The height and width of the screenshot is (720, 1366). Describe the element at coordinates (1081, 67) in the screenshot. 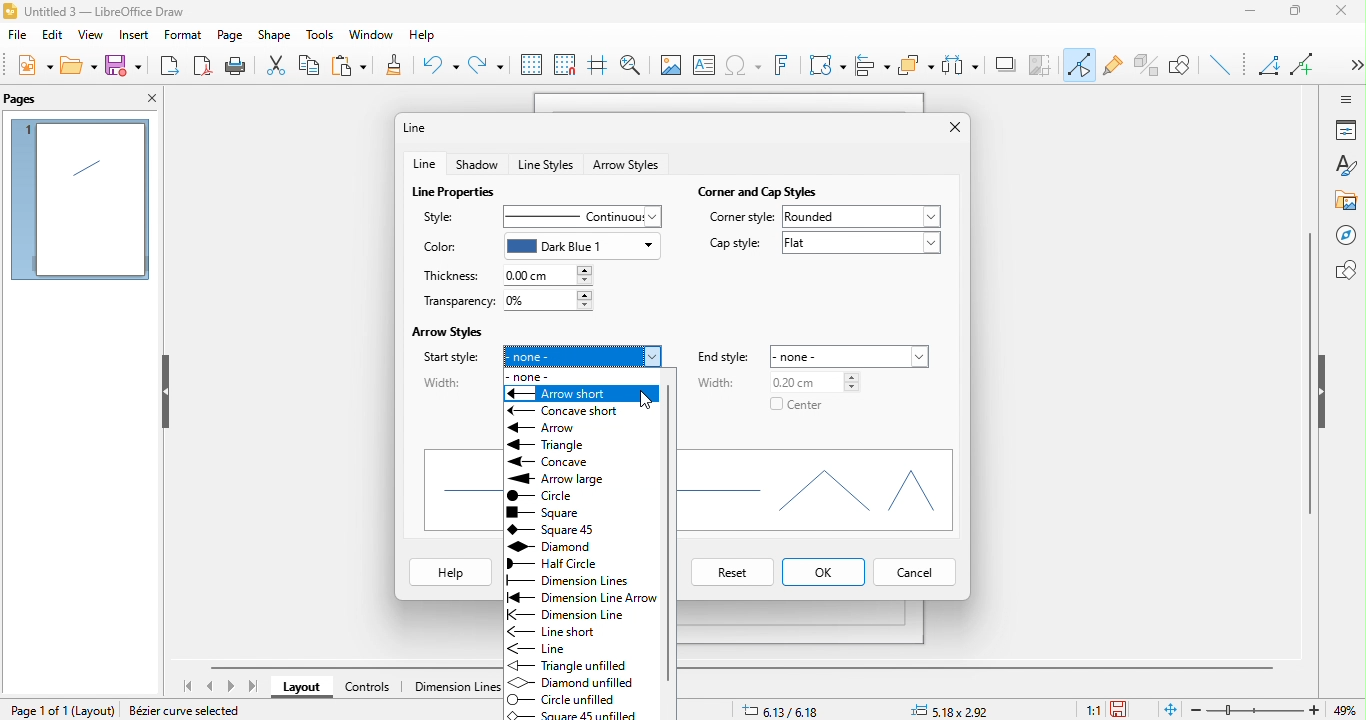

I see `toggle point edit mode` at that location.